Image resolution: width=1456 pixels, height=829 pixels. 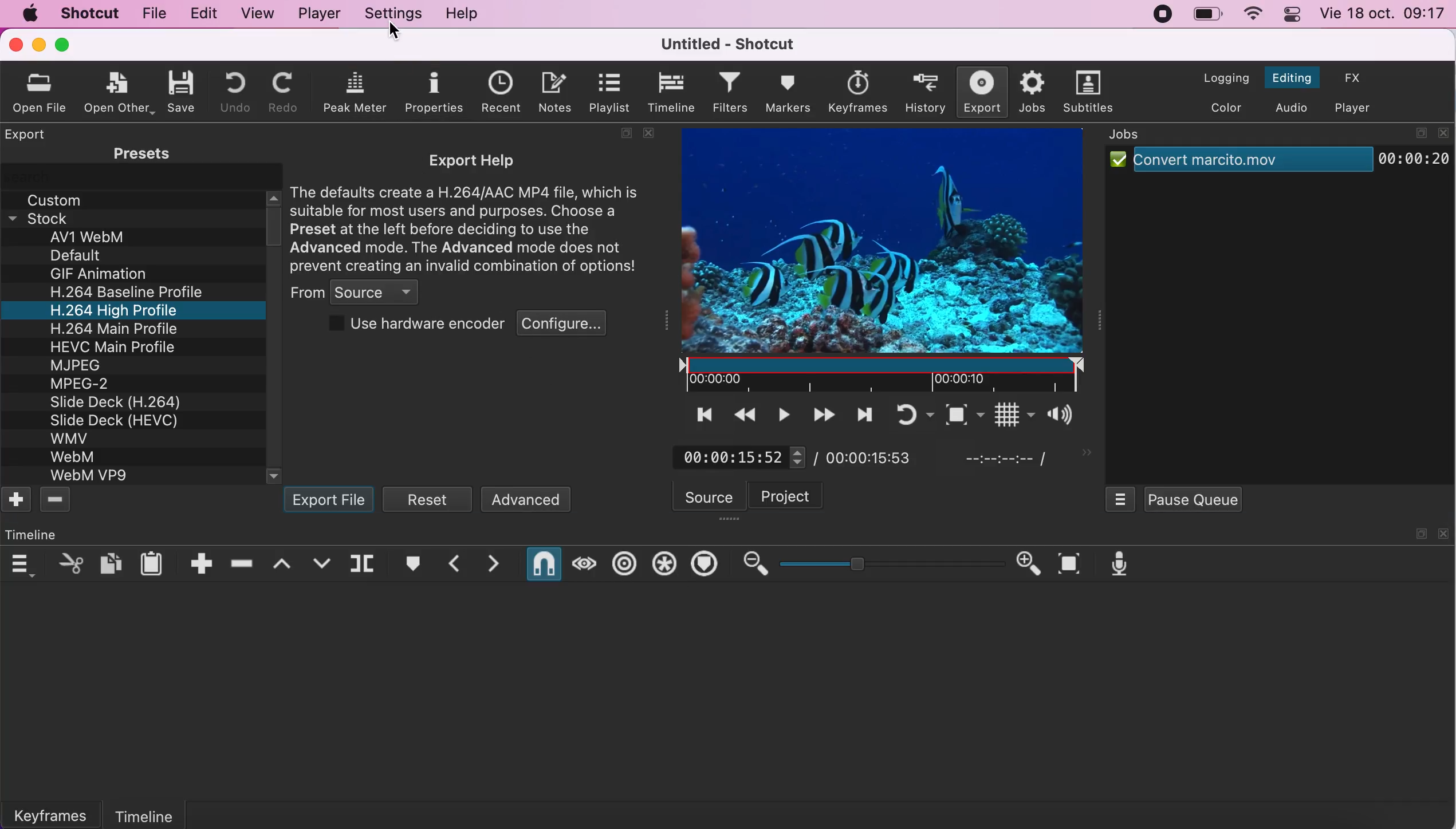 I want to click on undo, so click(x=229, y=92).